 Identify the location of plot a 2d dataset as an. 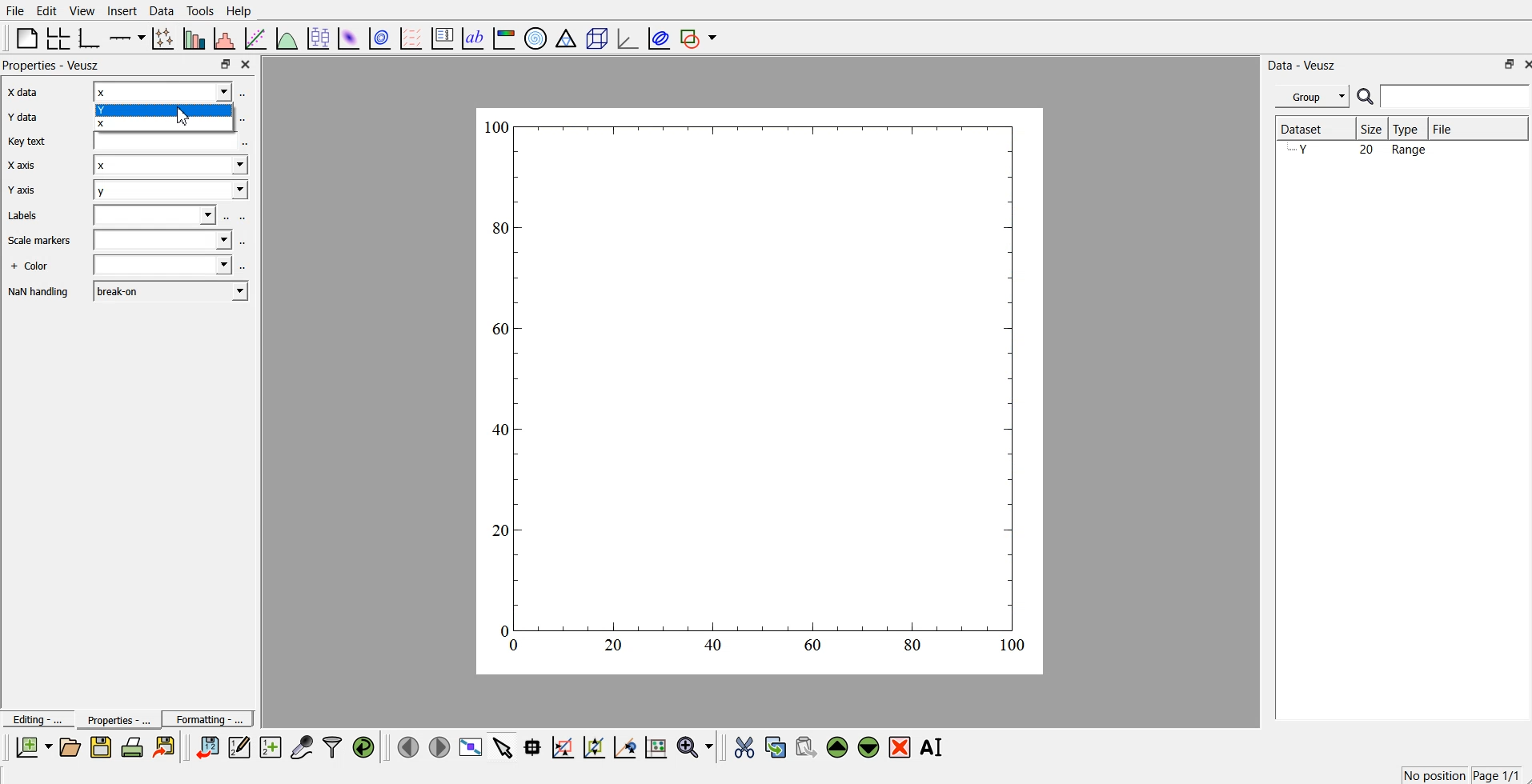
(348, 37).